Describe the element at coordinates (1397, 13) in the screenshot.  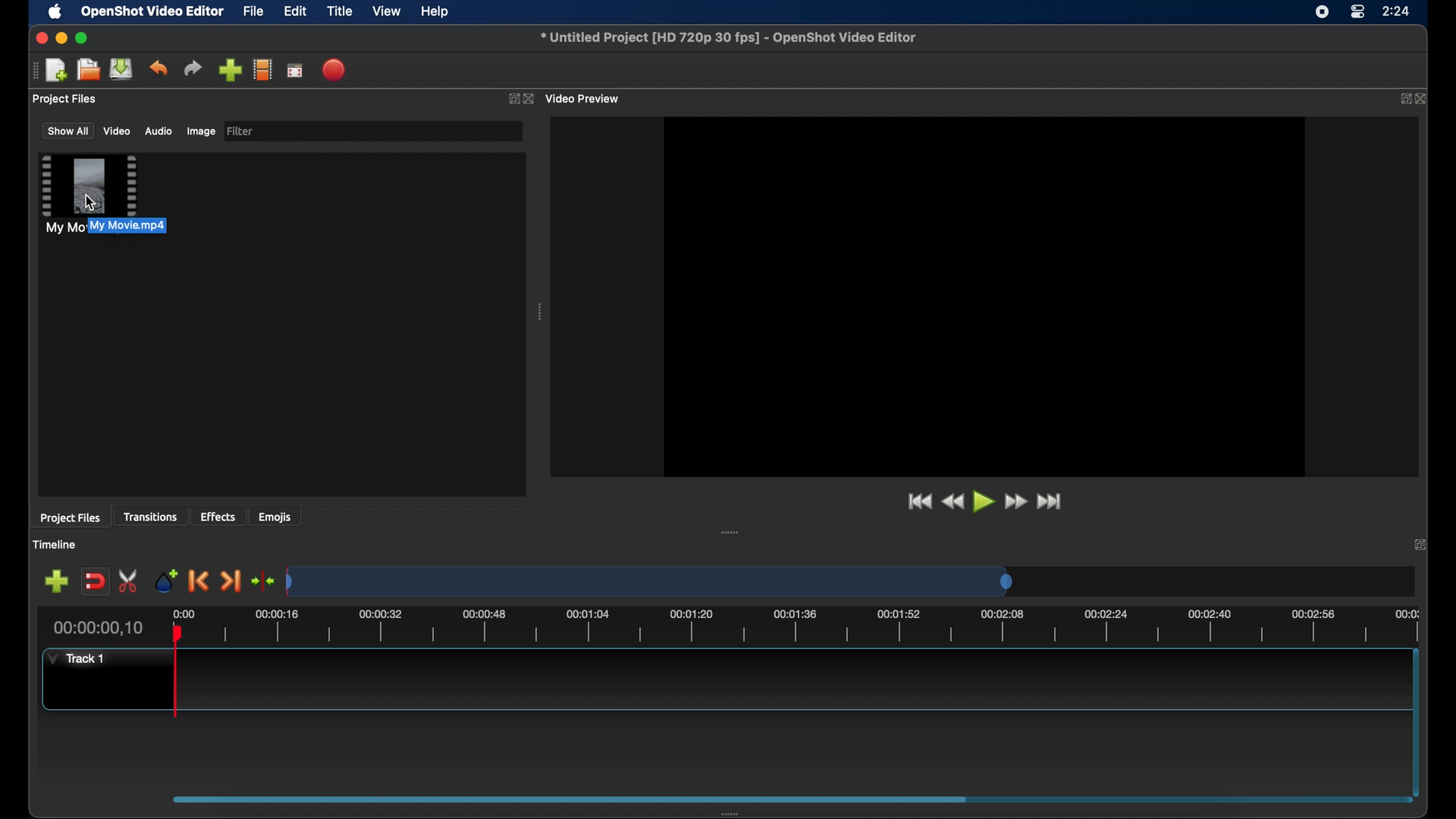
I see `rime` at that location.